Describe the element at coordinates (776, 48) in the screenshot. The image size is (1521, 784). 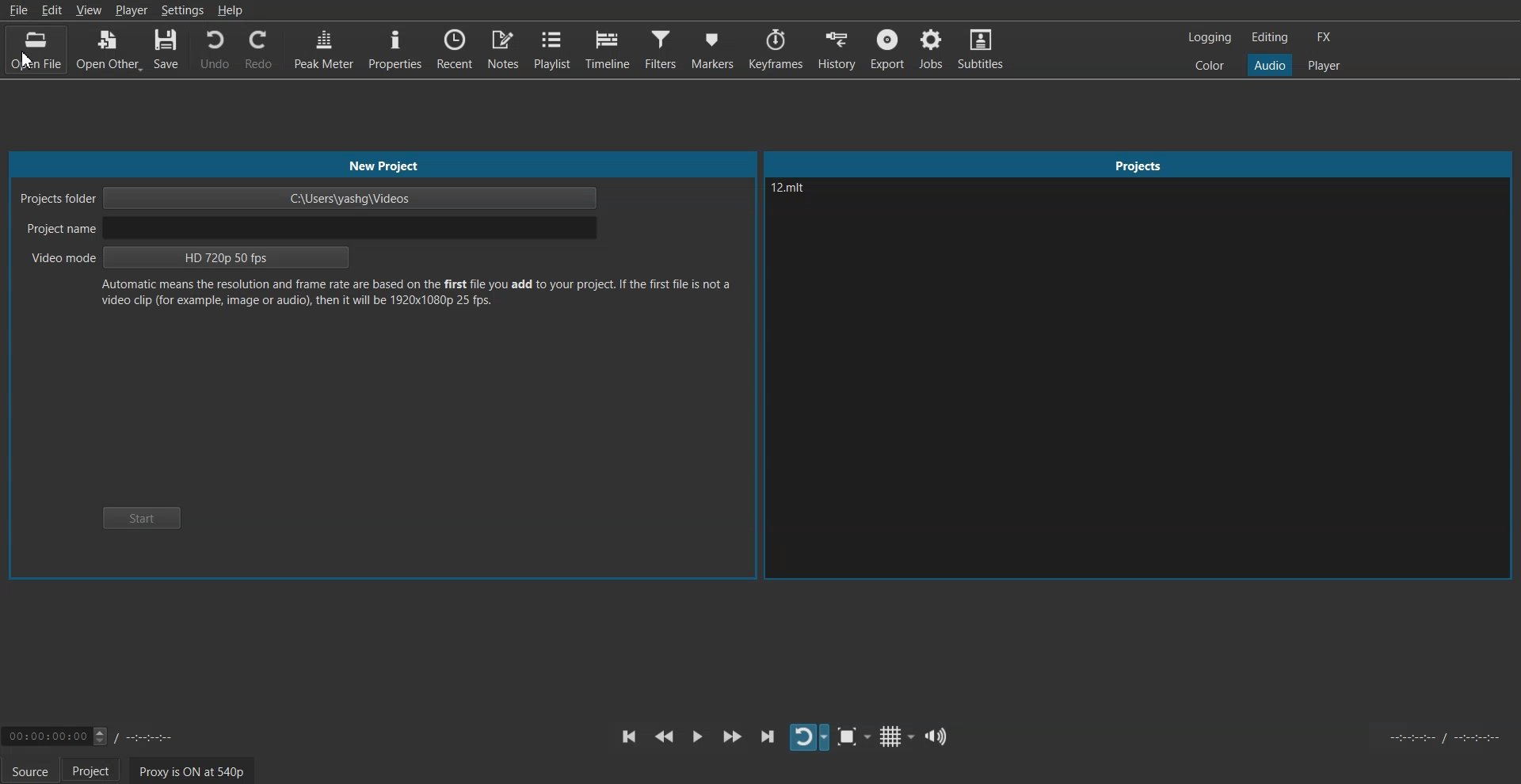
I see `Keyframes` at that location.